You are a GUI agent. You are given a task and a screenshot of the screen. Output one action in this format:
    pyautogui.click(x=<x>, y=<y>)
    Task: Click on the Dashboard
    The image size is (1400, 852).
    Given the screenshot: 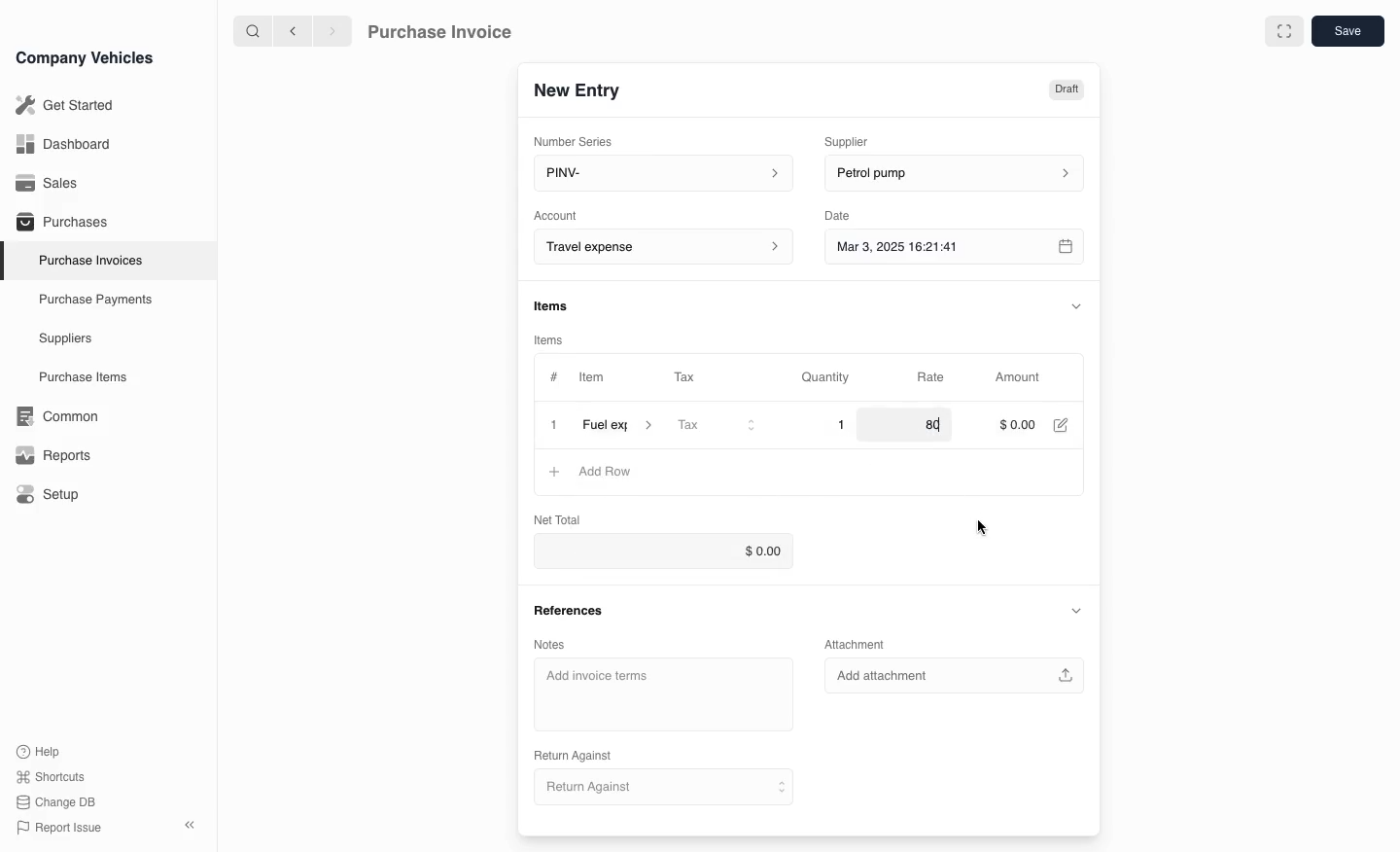 What is the action you would take?
    pyautogui.click(x=62, y=144)
    